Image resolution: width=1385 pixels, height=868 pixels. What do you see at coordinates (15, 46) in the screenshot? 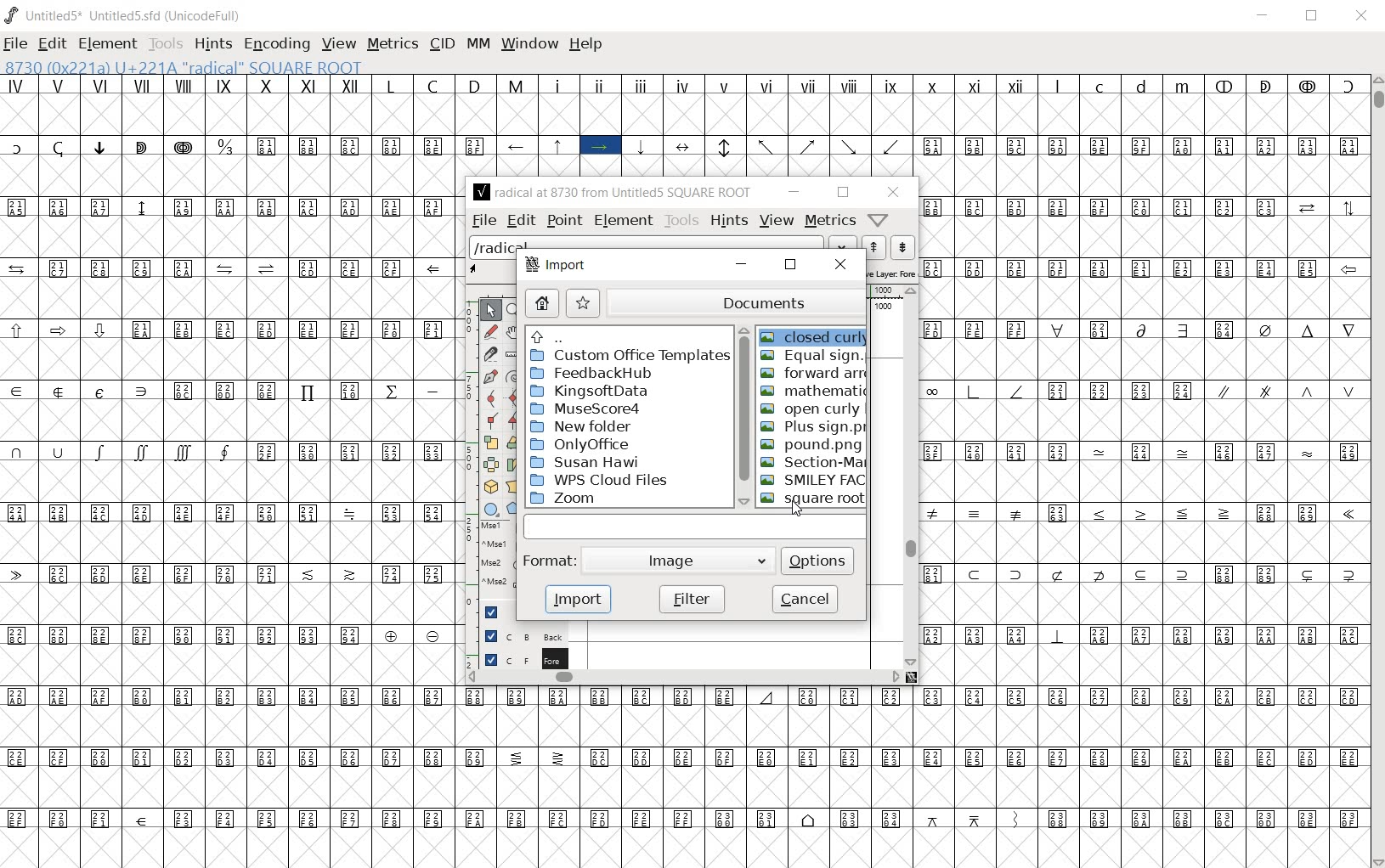
I see `FILE` at bounding box center [15, 46].